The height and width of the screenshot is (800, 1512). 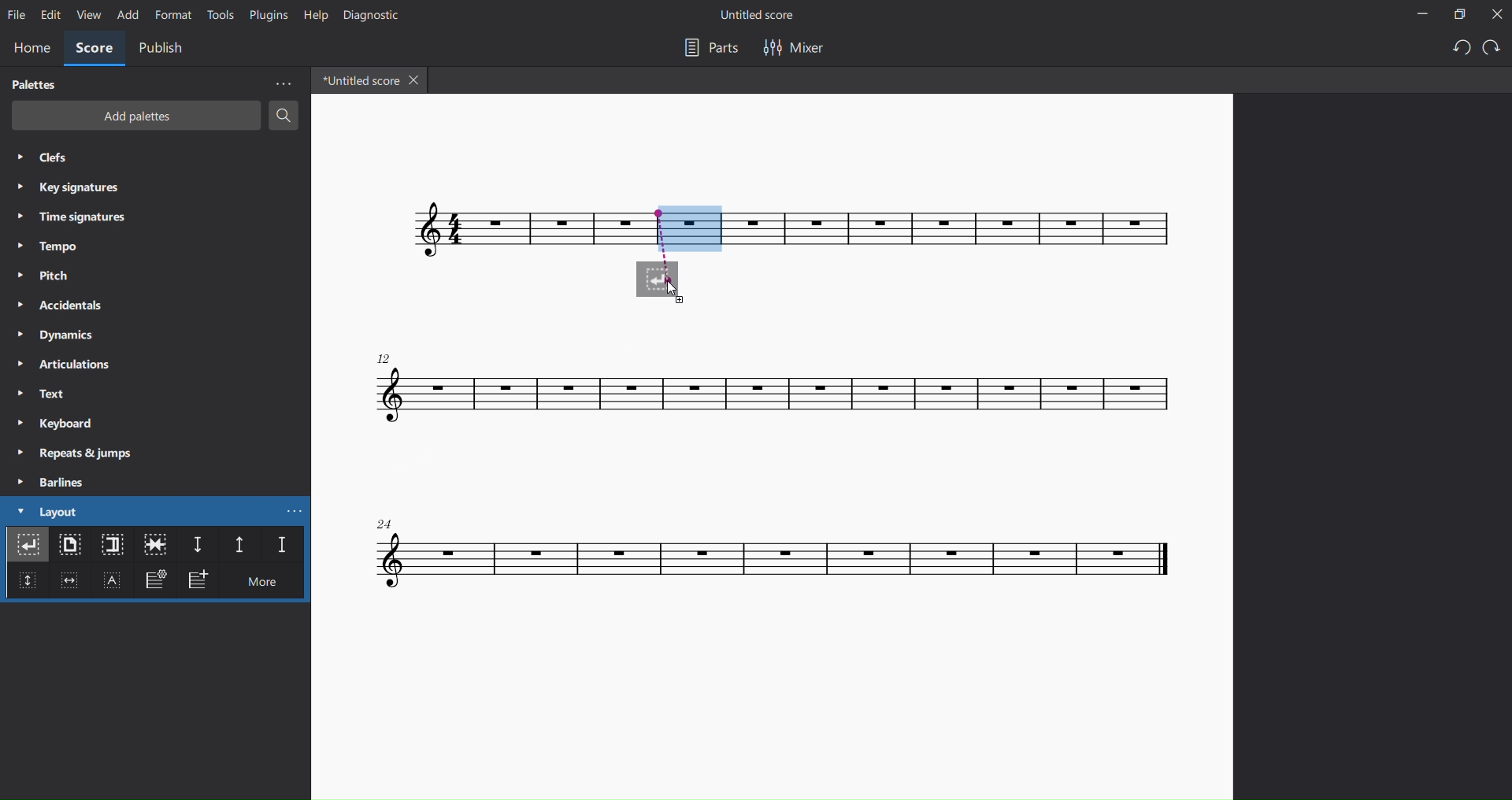 What do you see at coordinates (278, 546) in the screenshot?
I see `staff spacer fixed down` at bounding box center [278, 546].